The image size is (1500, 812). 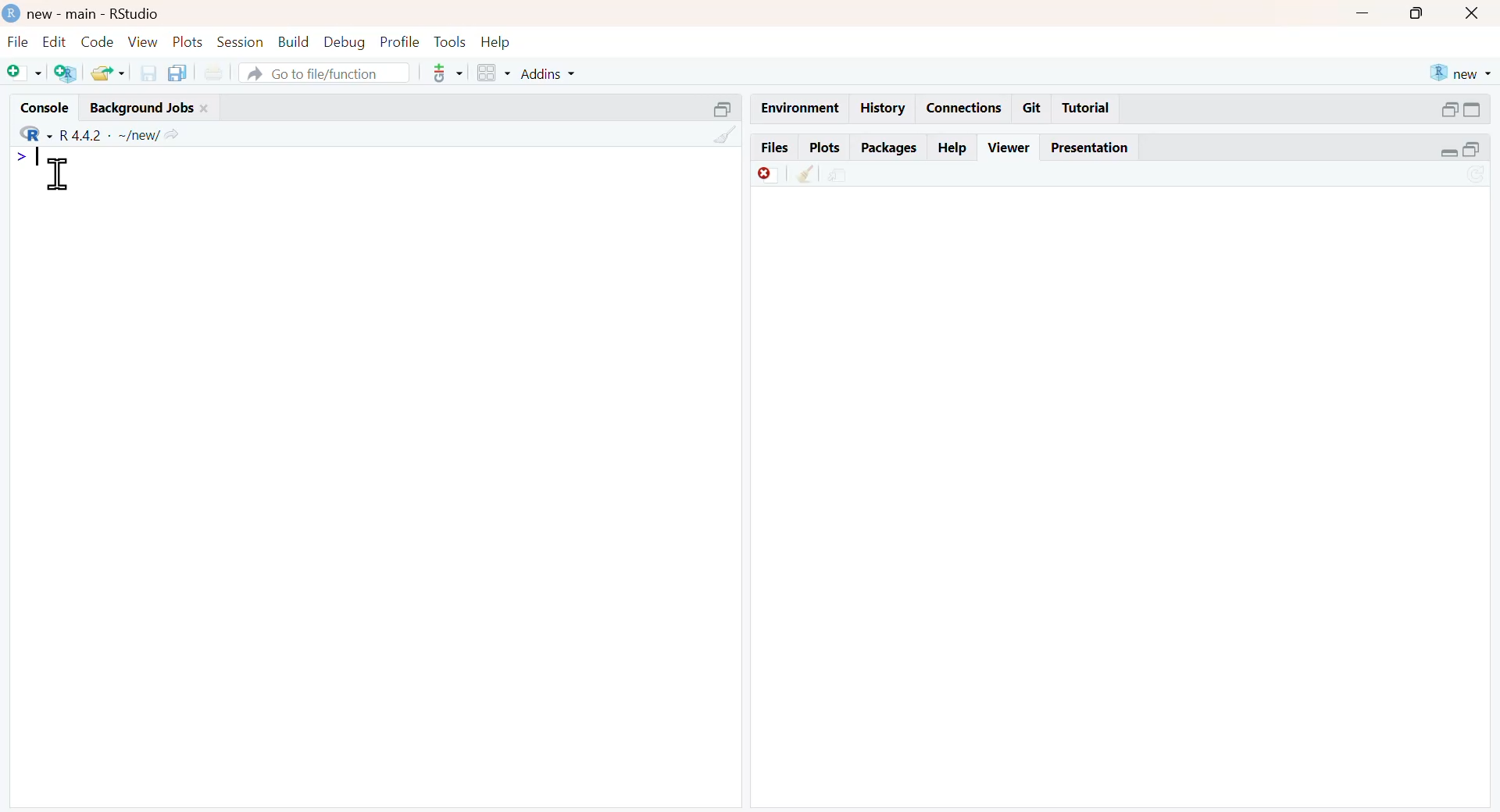 I want to click on Connections, so click(x=967, y=109).